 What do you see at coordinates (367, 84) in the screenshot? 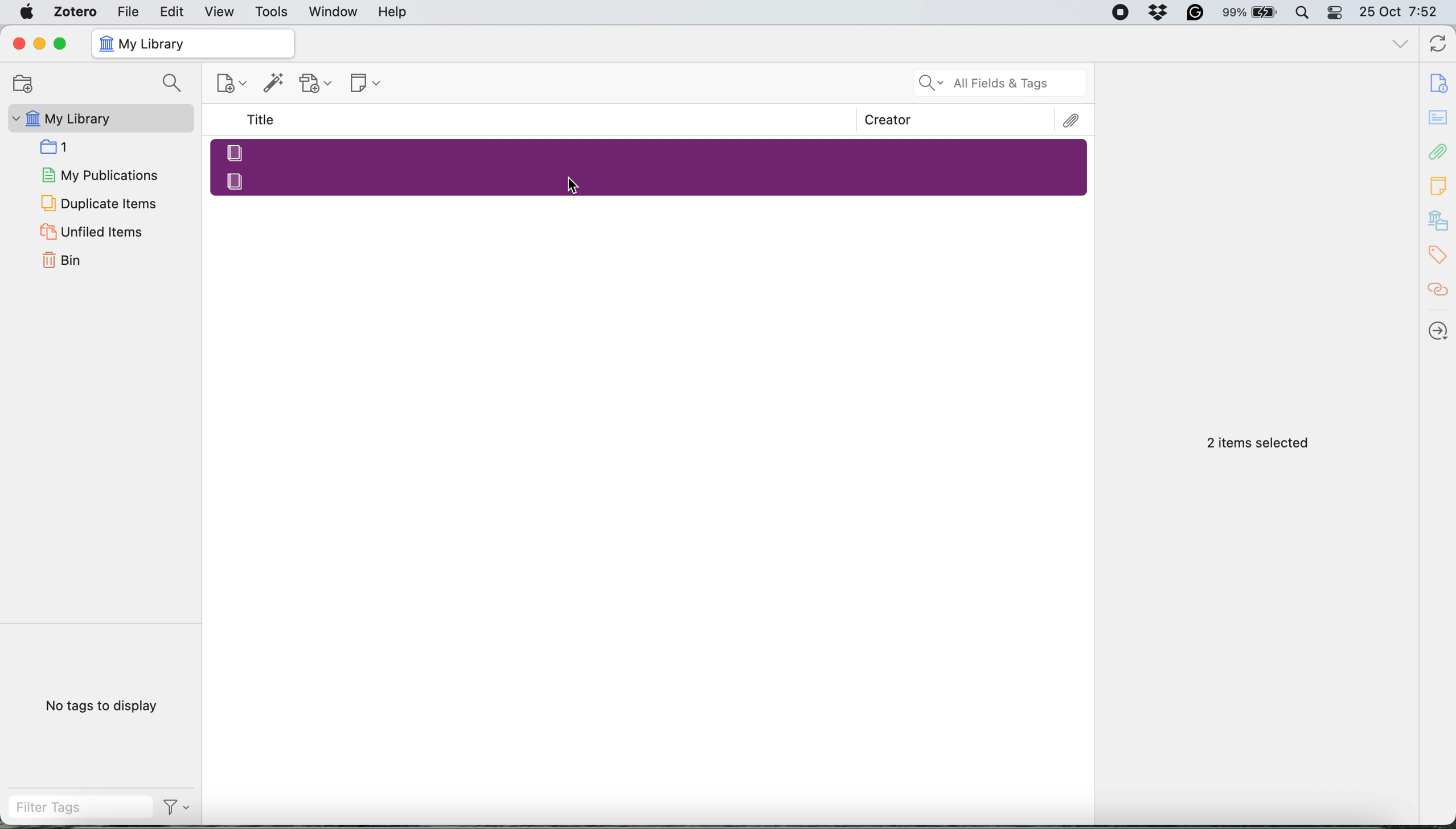
I see `New Note` at bounding box center [367, 84].